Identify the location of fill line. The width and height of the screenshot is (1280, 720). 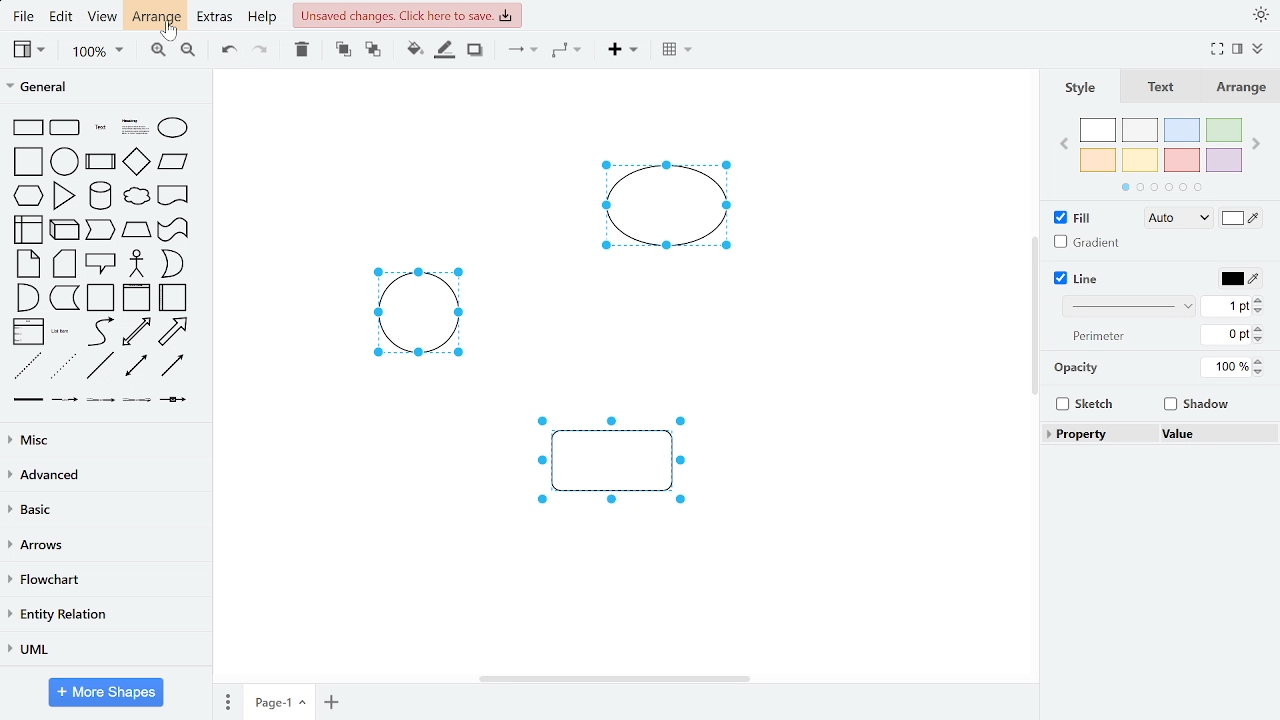
(446, 51).